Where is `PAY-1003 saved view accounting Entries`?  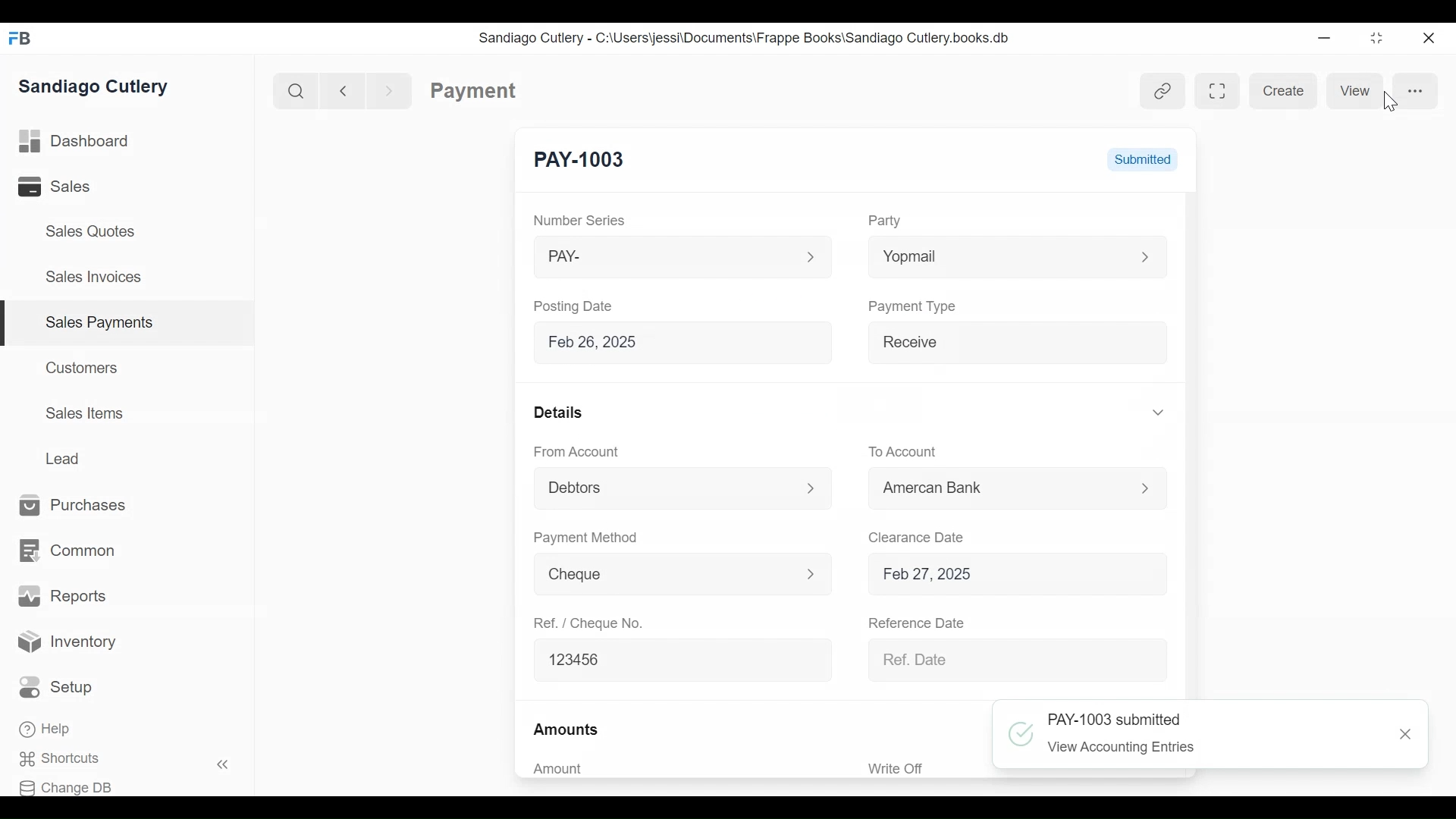 PAY-1003 saved view accounting Entries is located at coordinates (1102, 733).